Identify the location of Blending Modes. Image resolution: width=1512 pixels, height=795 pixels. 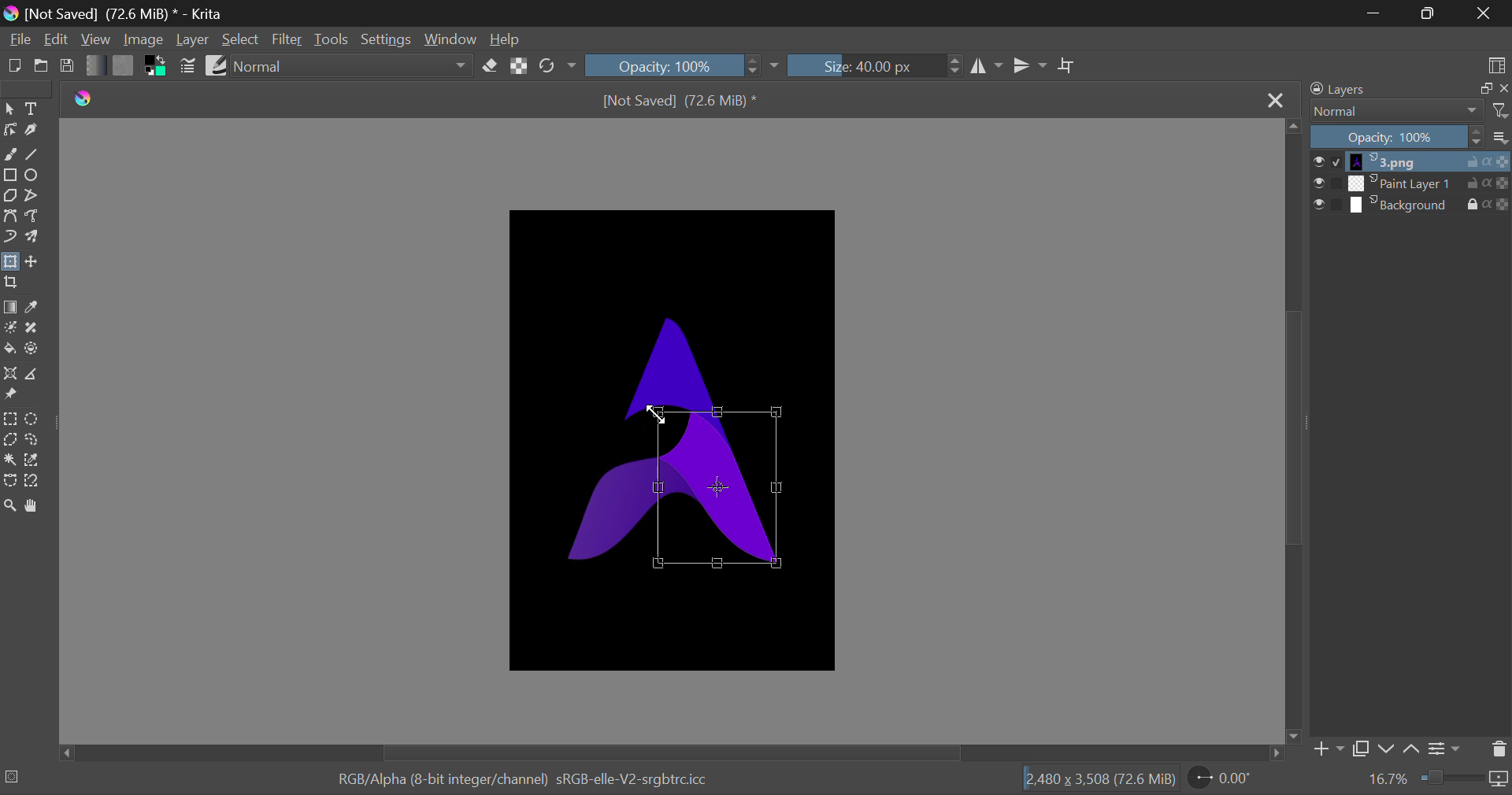
(353, 65).